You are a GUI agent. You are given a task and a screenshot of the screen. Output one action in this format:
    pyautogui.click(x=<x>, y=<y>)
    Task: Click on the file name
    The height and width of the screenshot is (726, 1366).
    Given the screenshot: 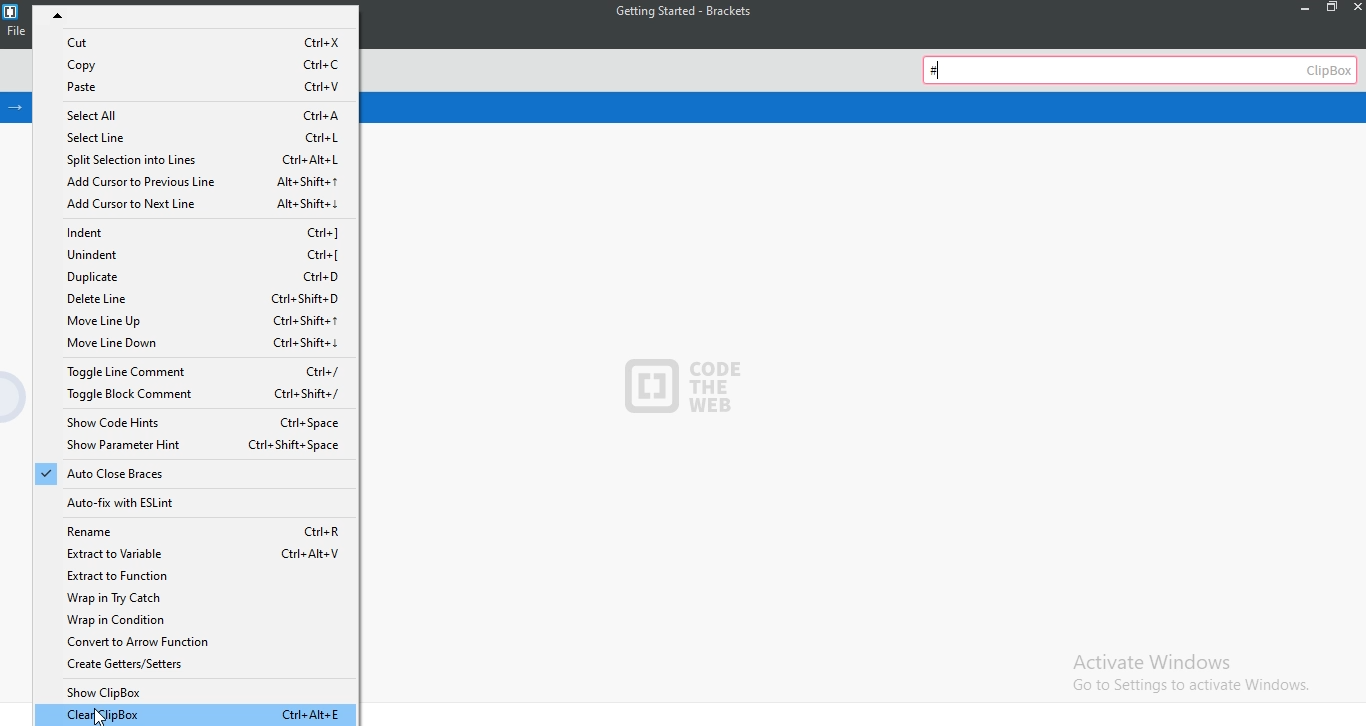 What is the action you would take?
    pyautogui.click(x=678, y=12)
    